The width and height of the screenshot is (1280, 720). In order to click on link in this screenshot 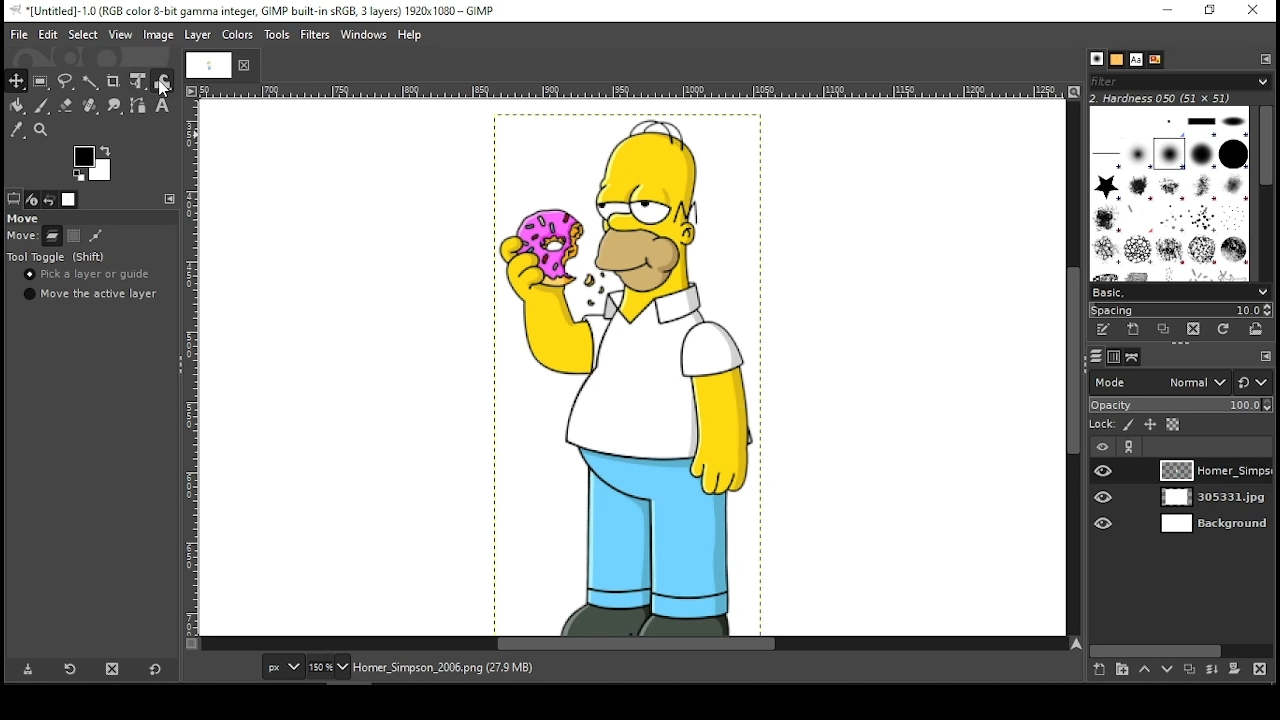, I will do `click(1129, 447)`.